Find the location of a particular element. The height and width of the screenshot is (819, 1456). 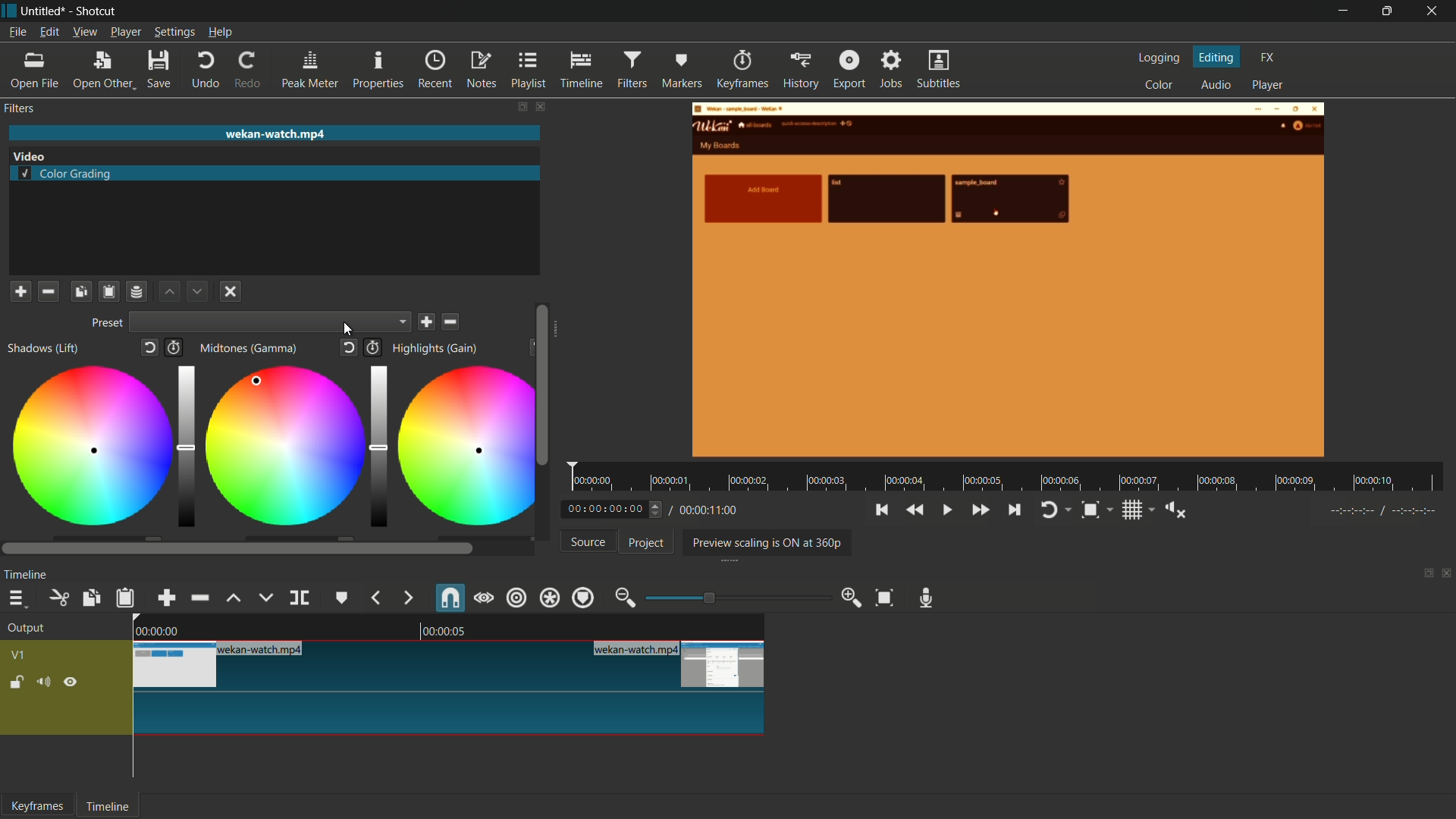

snap is located at coordinates (449, 598).